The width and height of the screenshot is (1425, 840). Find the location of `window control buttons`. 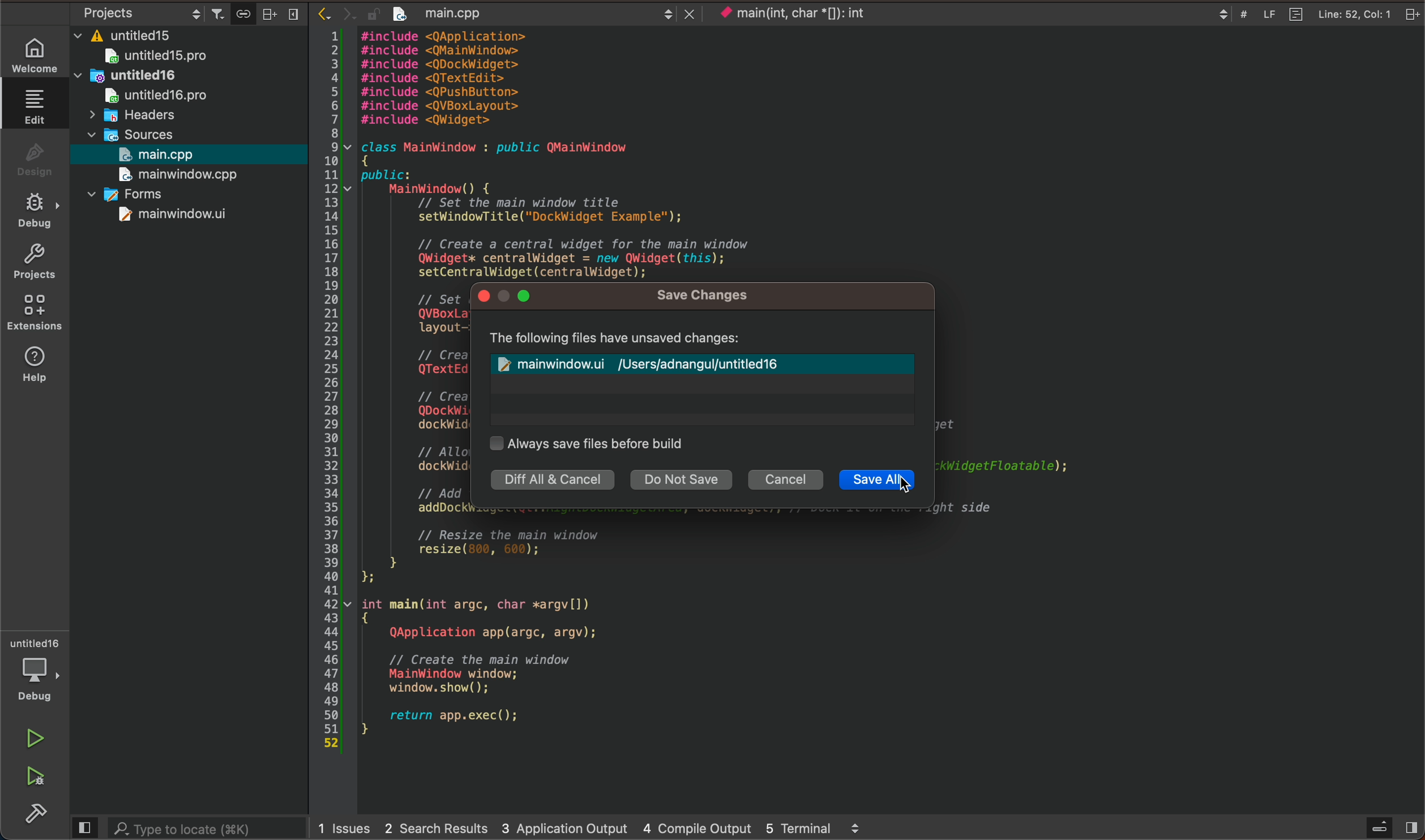

window control buttons is located at coordinates (508, 297).